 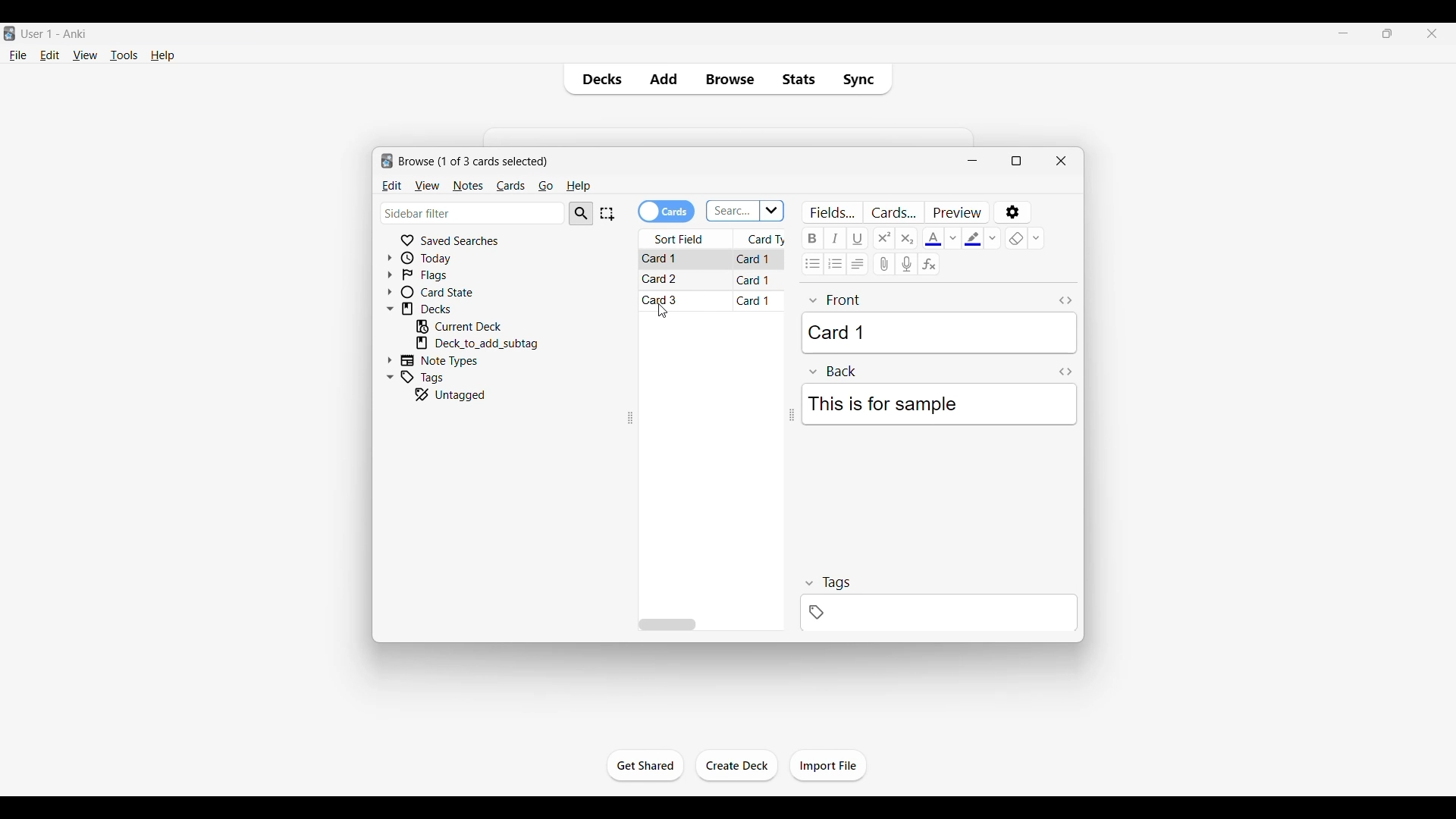 What do you see at coordinates (763, 237) in the screenshot?
I see `Card type column` at bounding box center [763, 237].